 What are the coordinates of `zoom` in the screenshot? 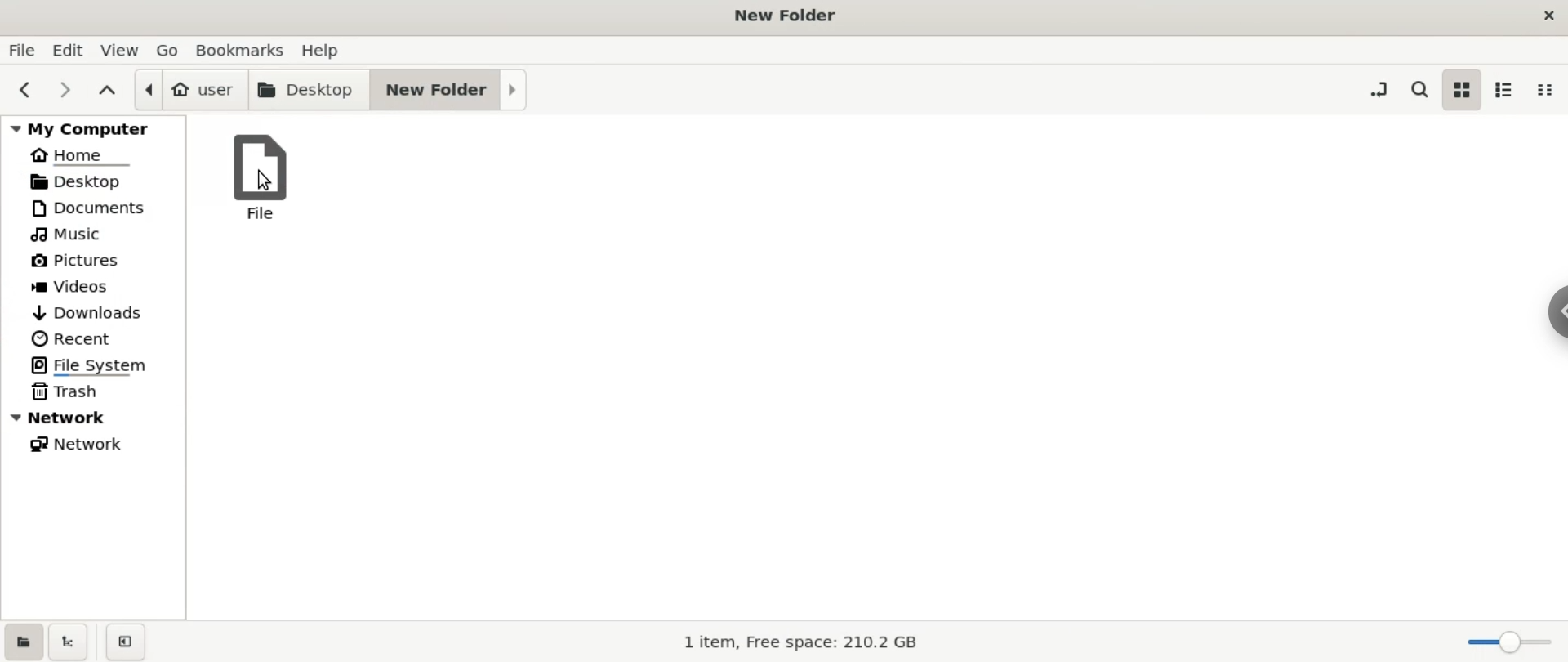 It's located at (1503, 638).